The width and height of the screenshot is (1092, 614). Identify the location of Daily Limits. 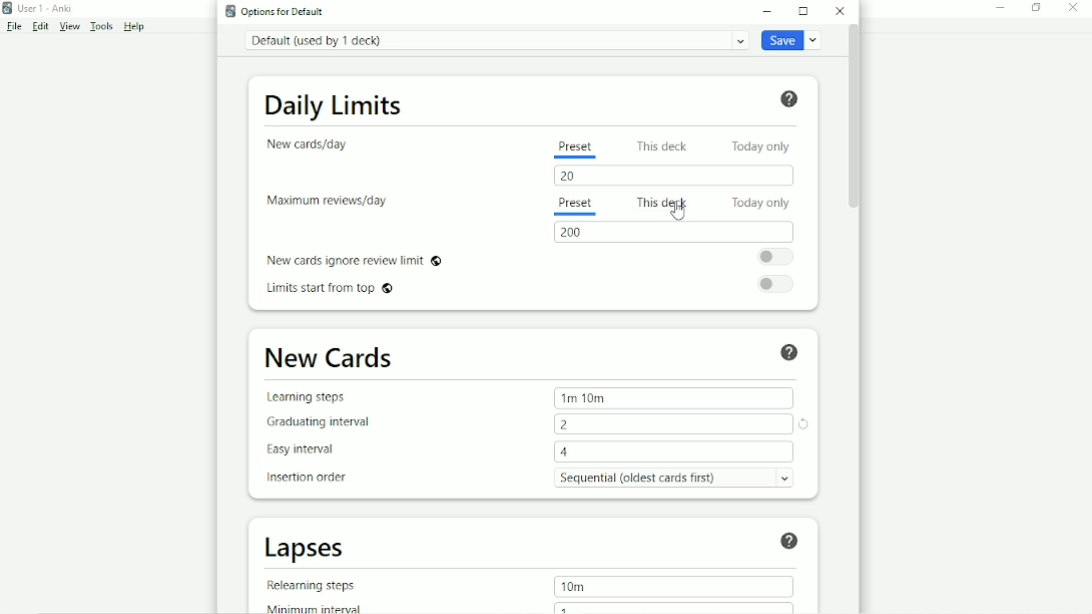
(334, 103).